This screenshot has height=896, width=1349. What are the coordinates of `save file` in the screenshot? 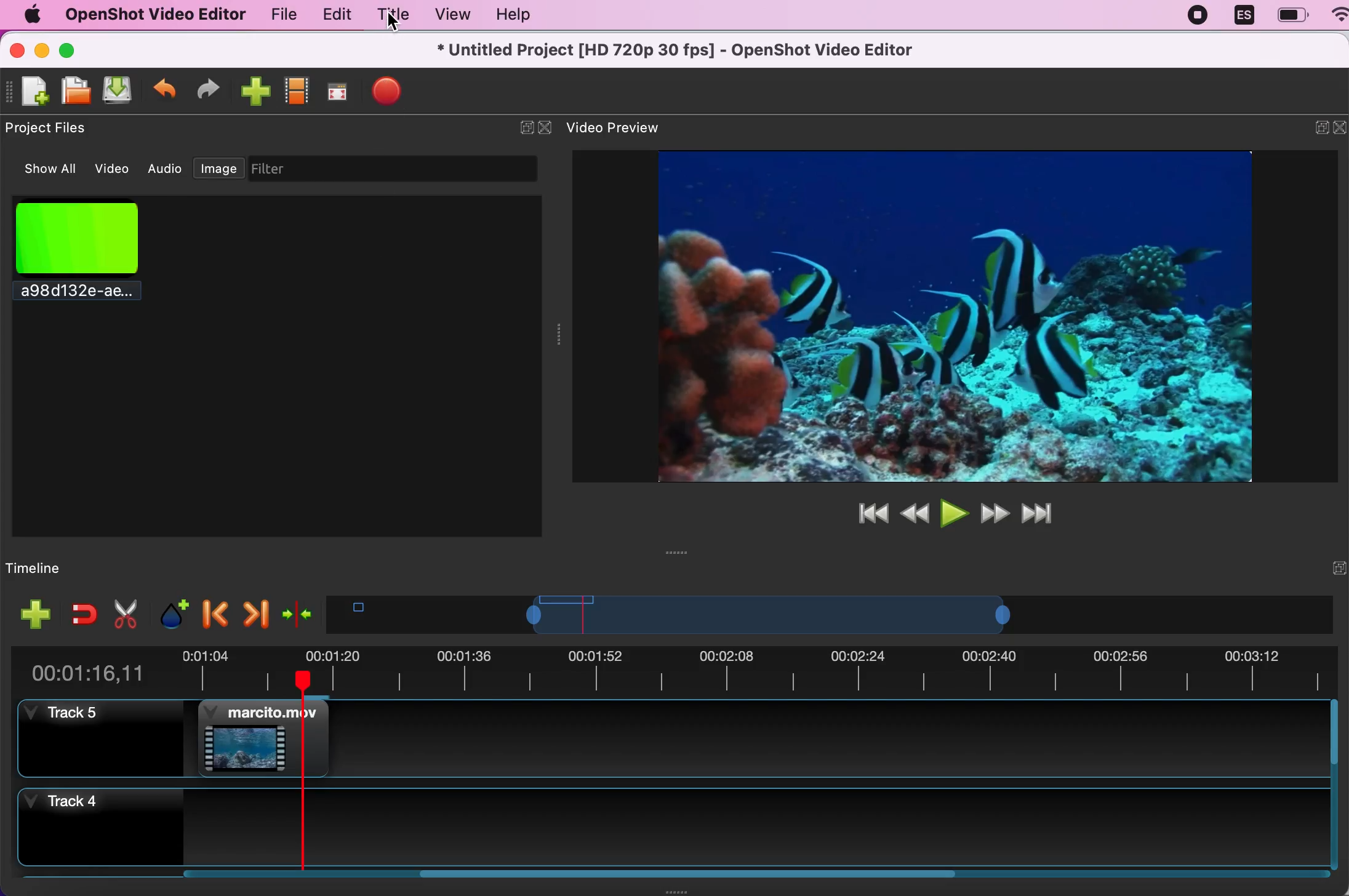 It's located at (121, 92).